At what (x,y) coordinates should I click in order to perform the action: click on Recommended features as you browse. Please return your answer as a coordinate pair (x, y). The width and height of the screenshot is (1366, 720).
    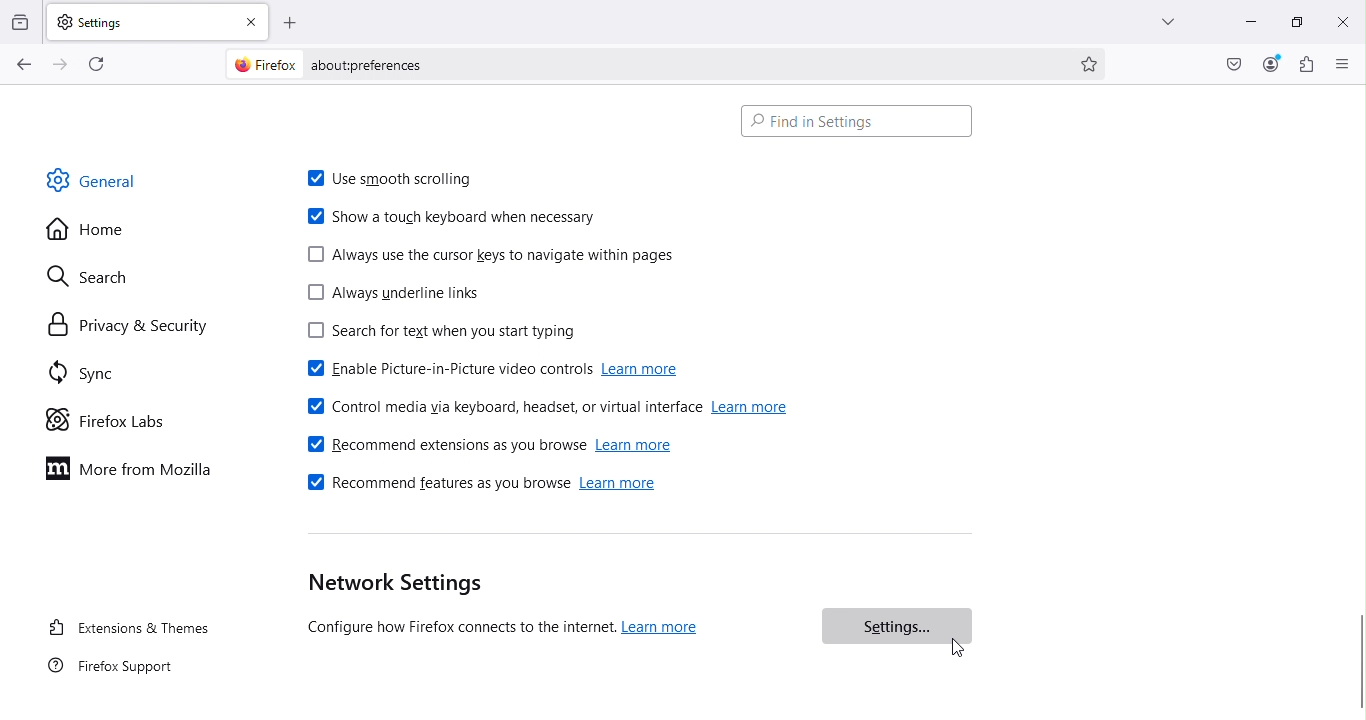
    Looking at the image, I should click on (478, 487).